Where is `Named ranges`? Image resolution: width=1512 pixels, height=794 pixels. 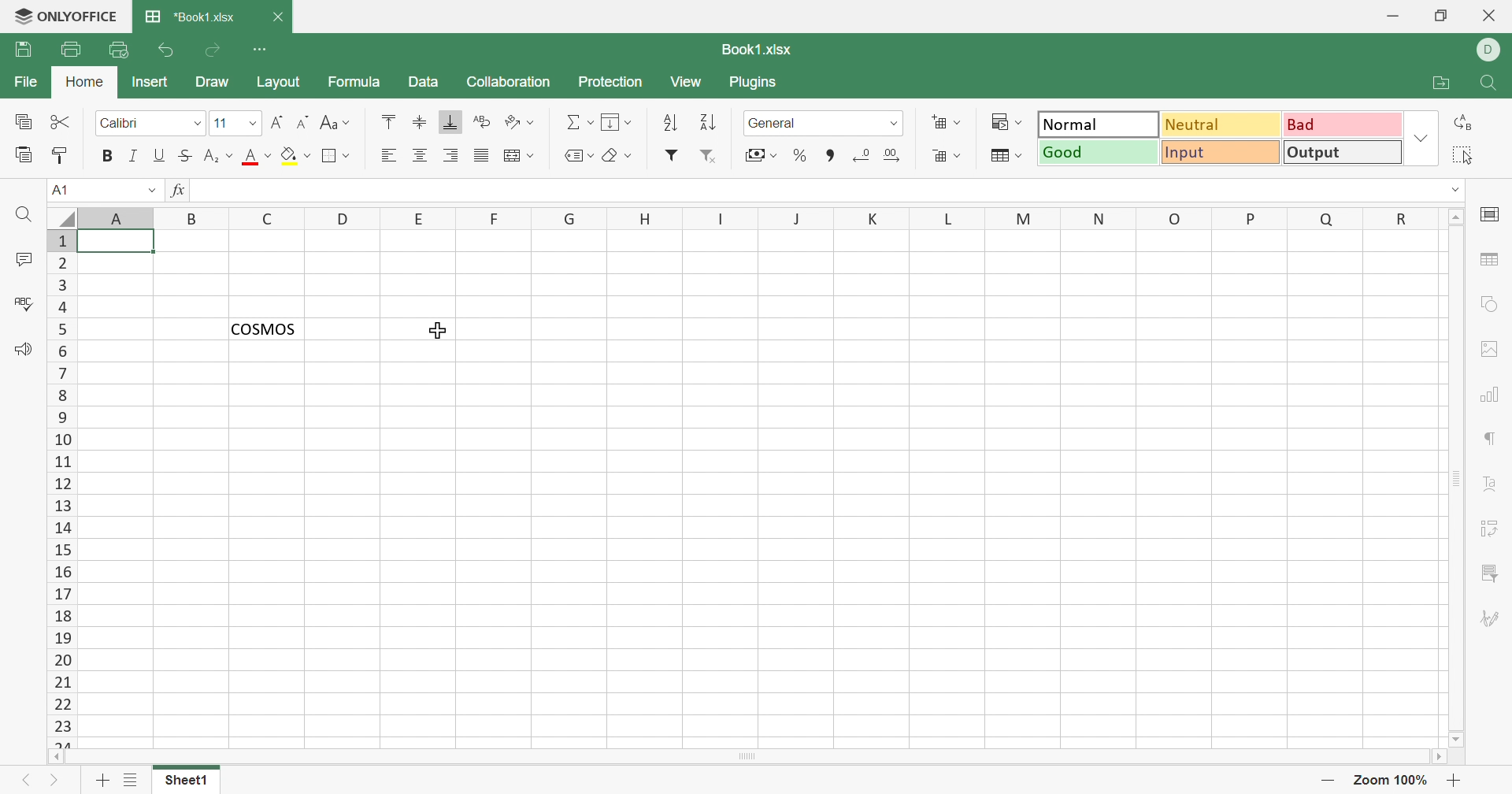 Named ranges is located at coordinates (582, 157).